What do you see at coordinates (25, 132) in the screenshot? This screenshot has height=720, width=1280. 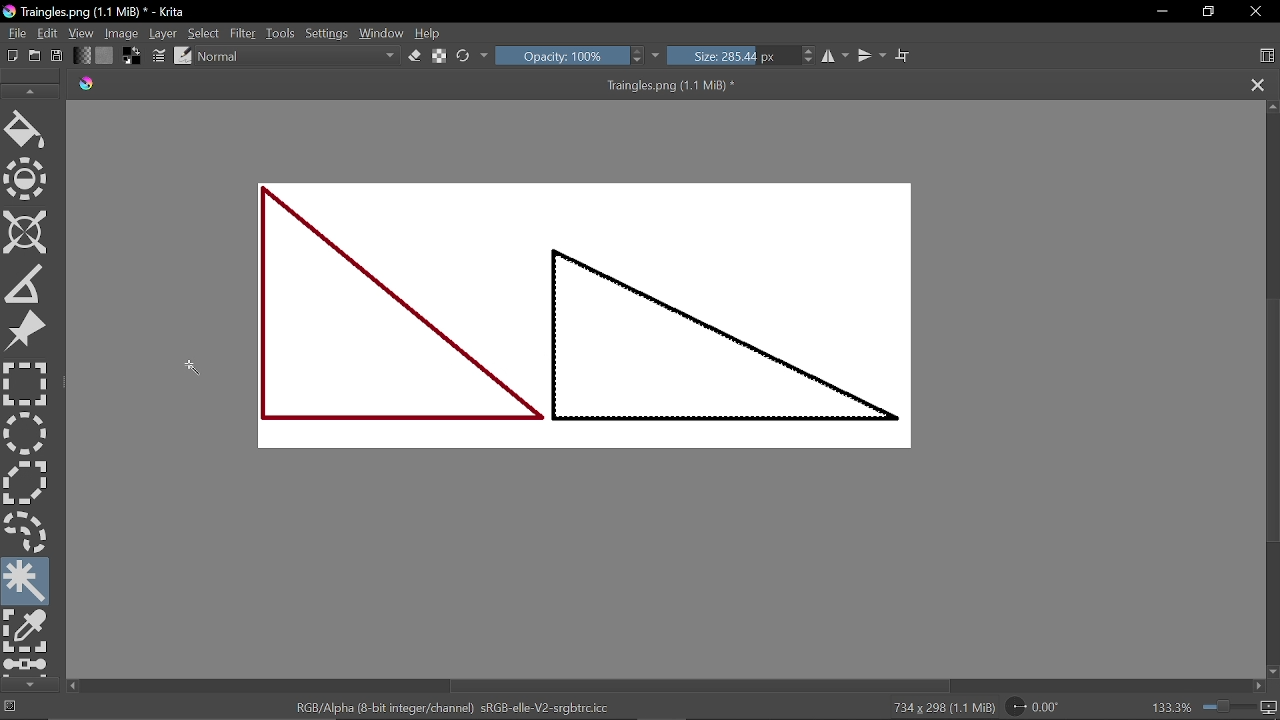 I see `Fill color tool` at bounding box center [25, 132].